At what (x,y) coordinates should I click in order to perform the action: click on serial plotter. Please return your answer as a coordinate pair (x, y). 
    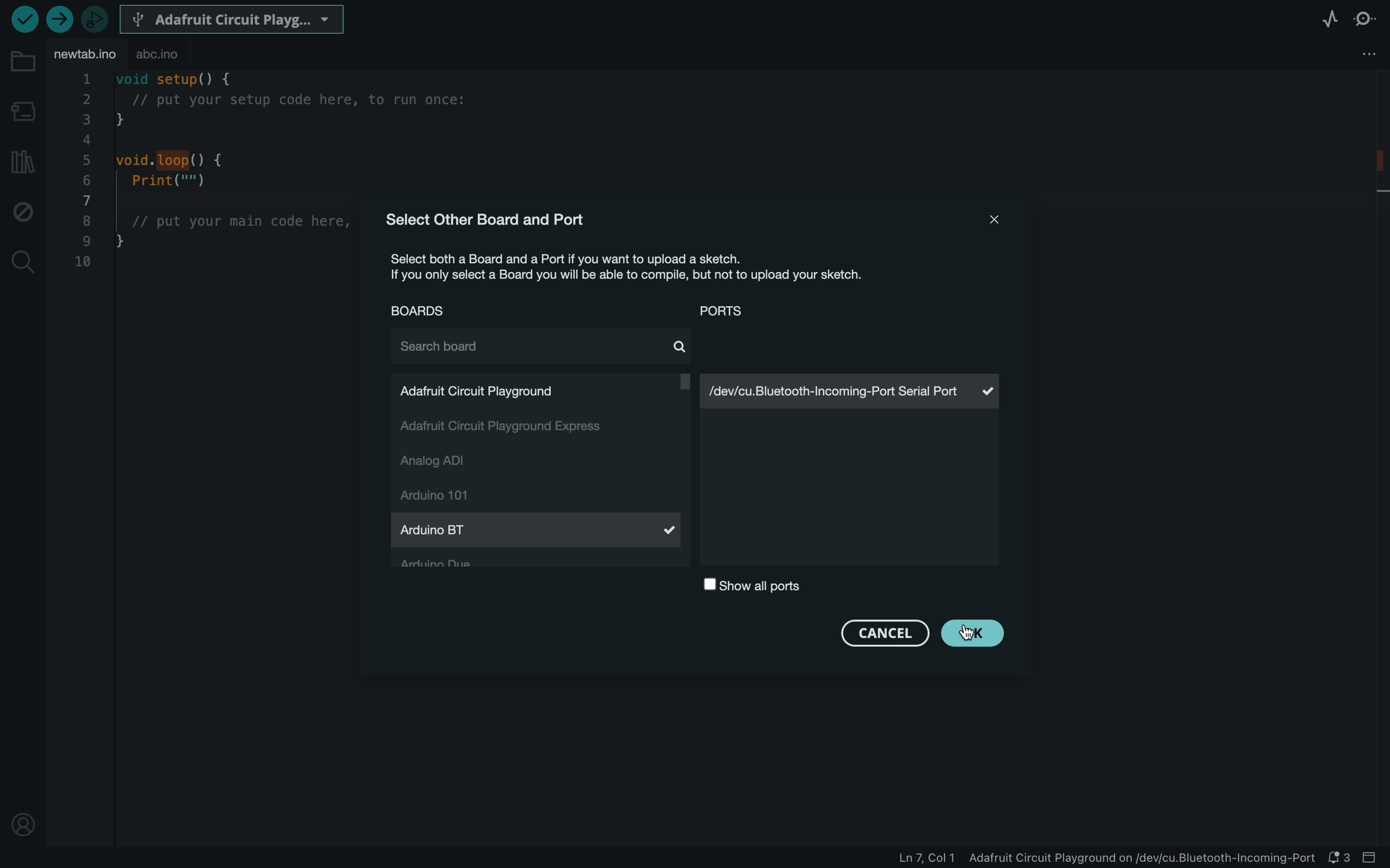
    Looking at the image, I should click on (1328, 19).